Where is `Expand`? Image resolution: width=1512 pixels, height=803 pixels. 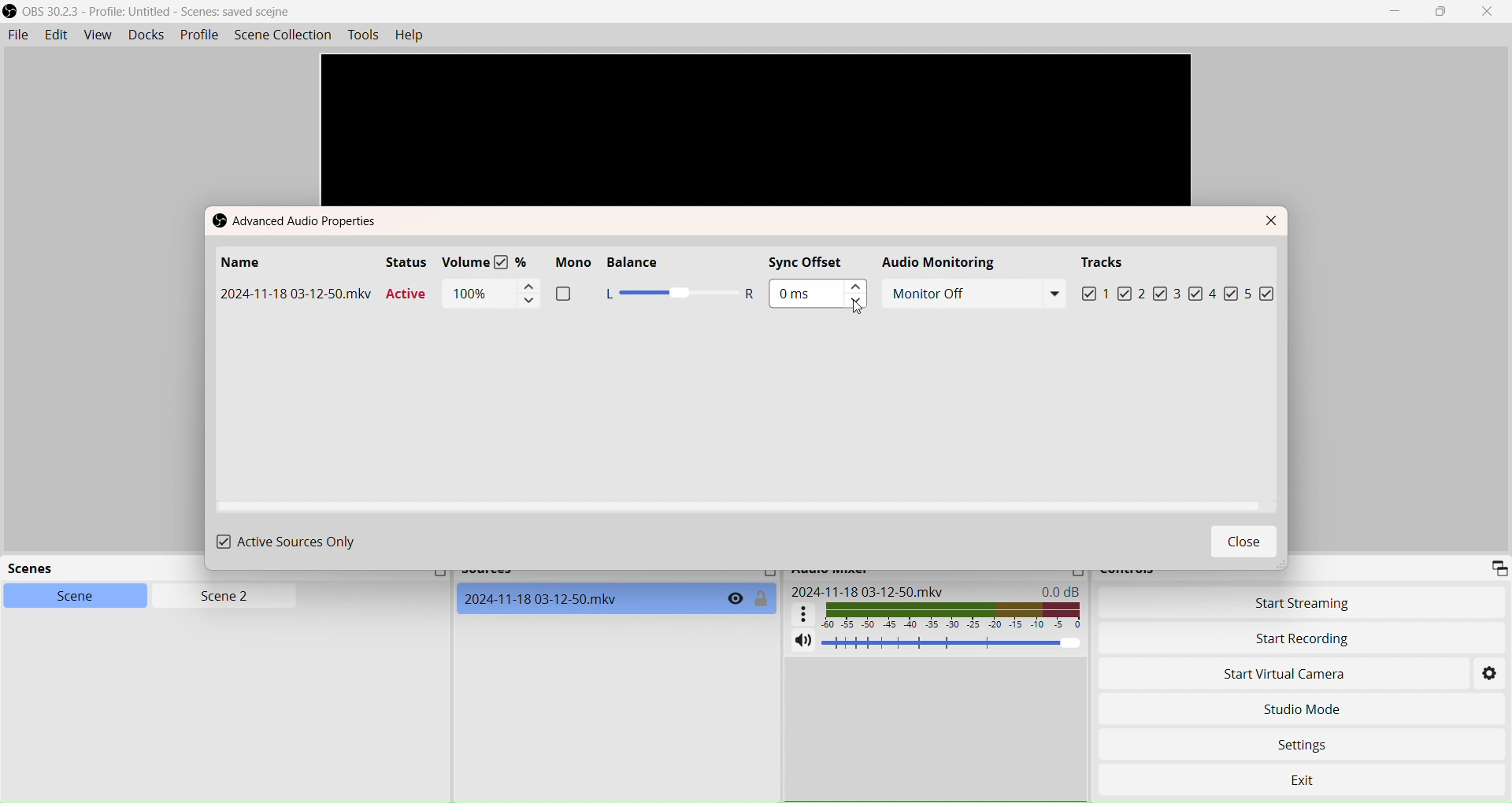
Expand is located at coordinates (1498, 567).